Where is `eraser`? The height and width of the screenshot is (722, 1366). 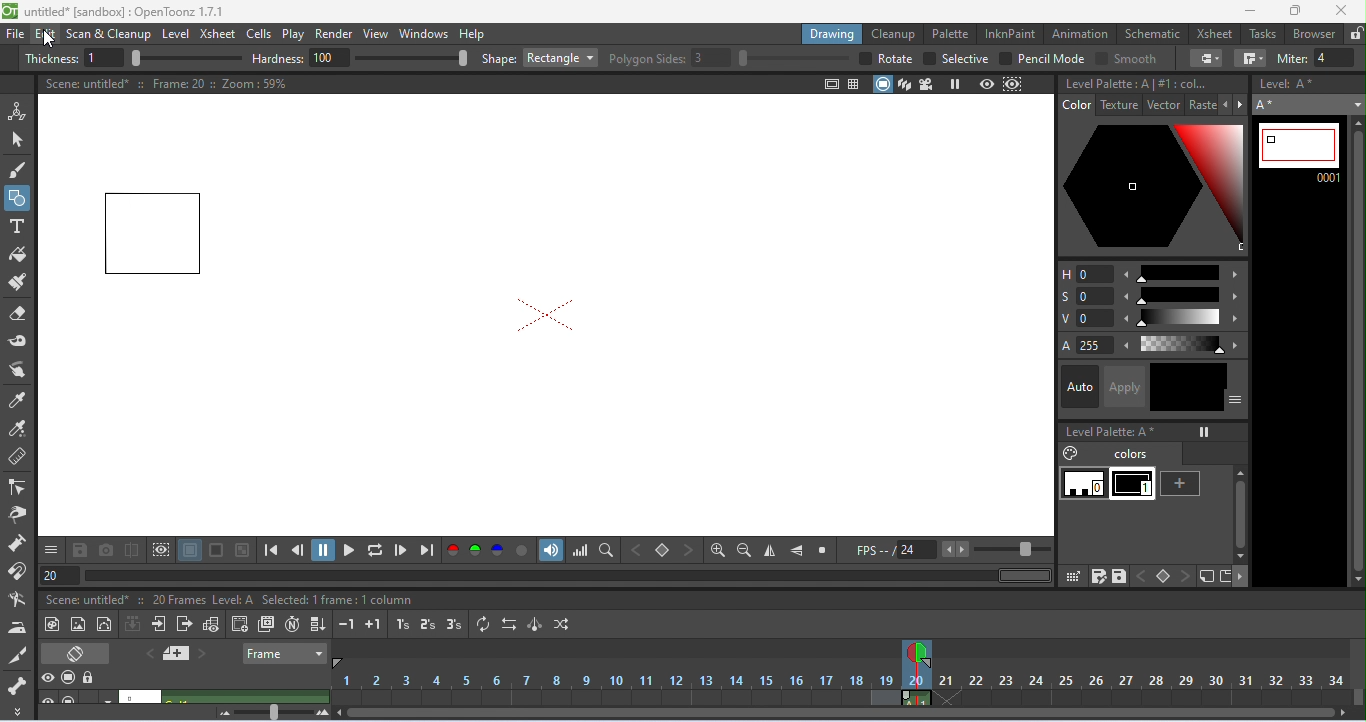
eraser is located at coordinates (19, 311).